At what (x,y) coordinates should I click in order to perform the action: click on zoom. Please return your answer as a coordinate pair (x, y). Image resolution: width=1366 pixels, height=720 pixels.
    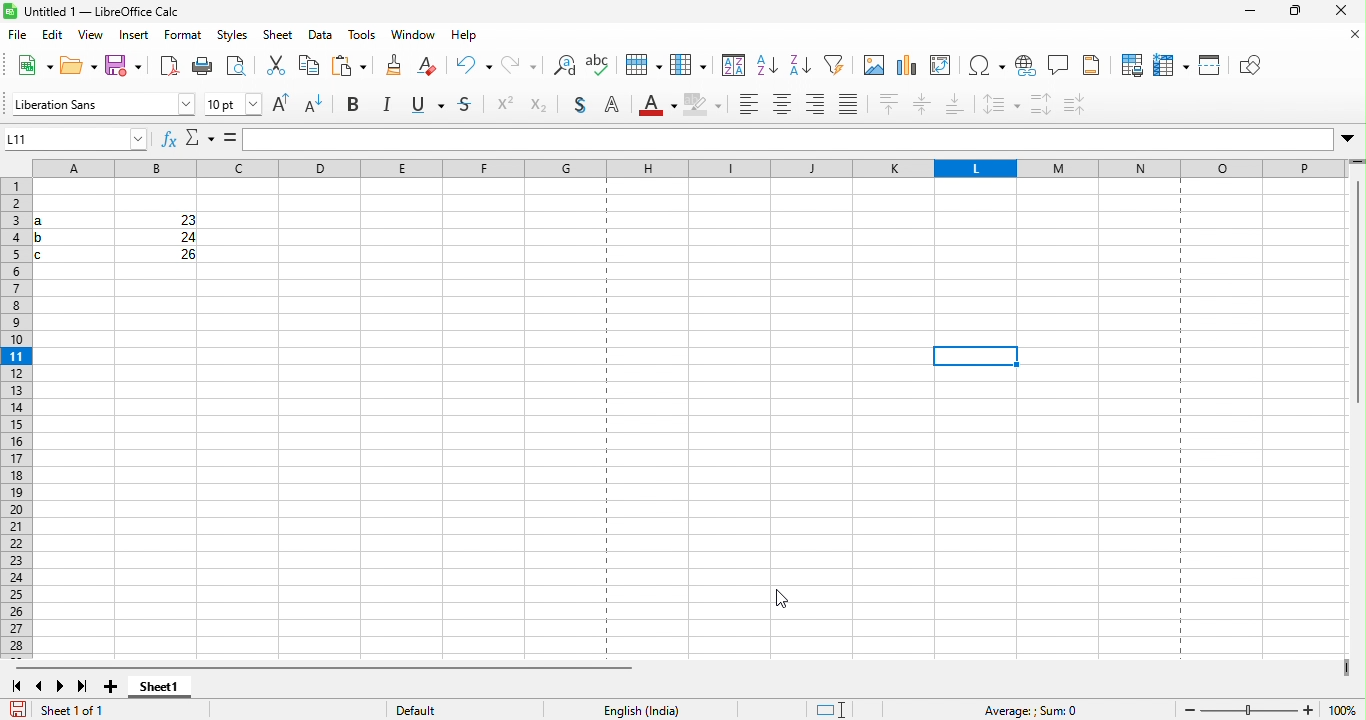
    Looking at the image, I should click on (1252, 707).